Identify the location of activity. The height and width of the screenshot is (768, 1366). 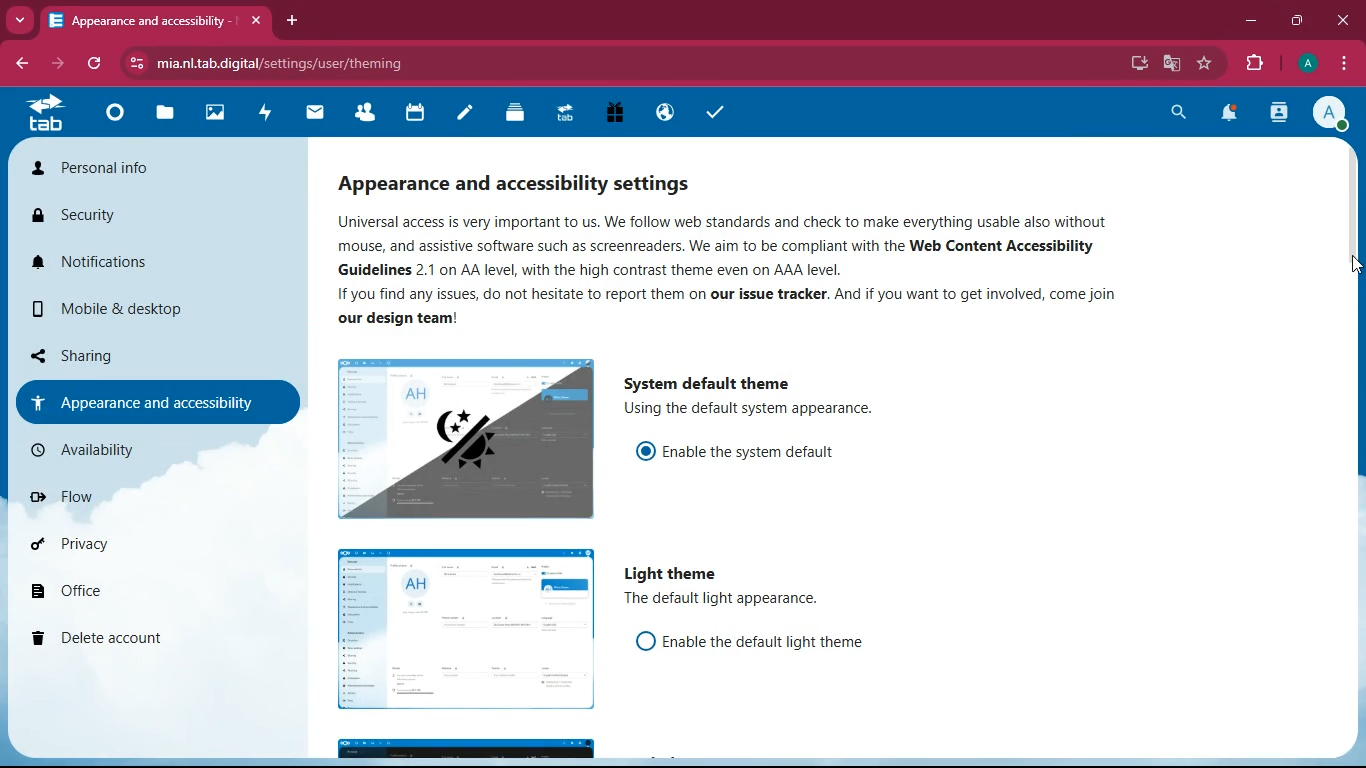
(1281, 115).